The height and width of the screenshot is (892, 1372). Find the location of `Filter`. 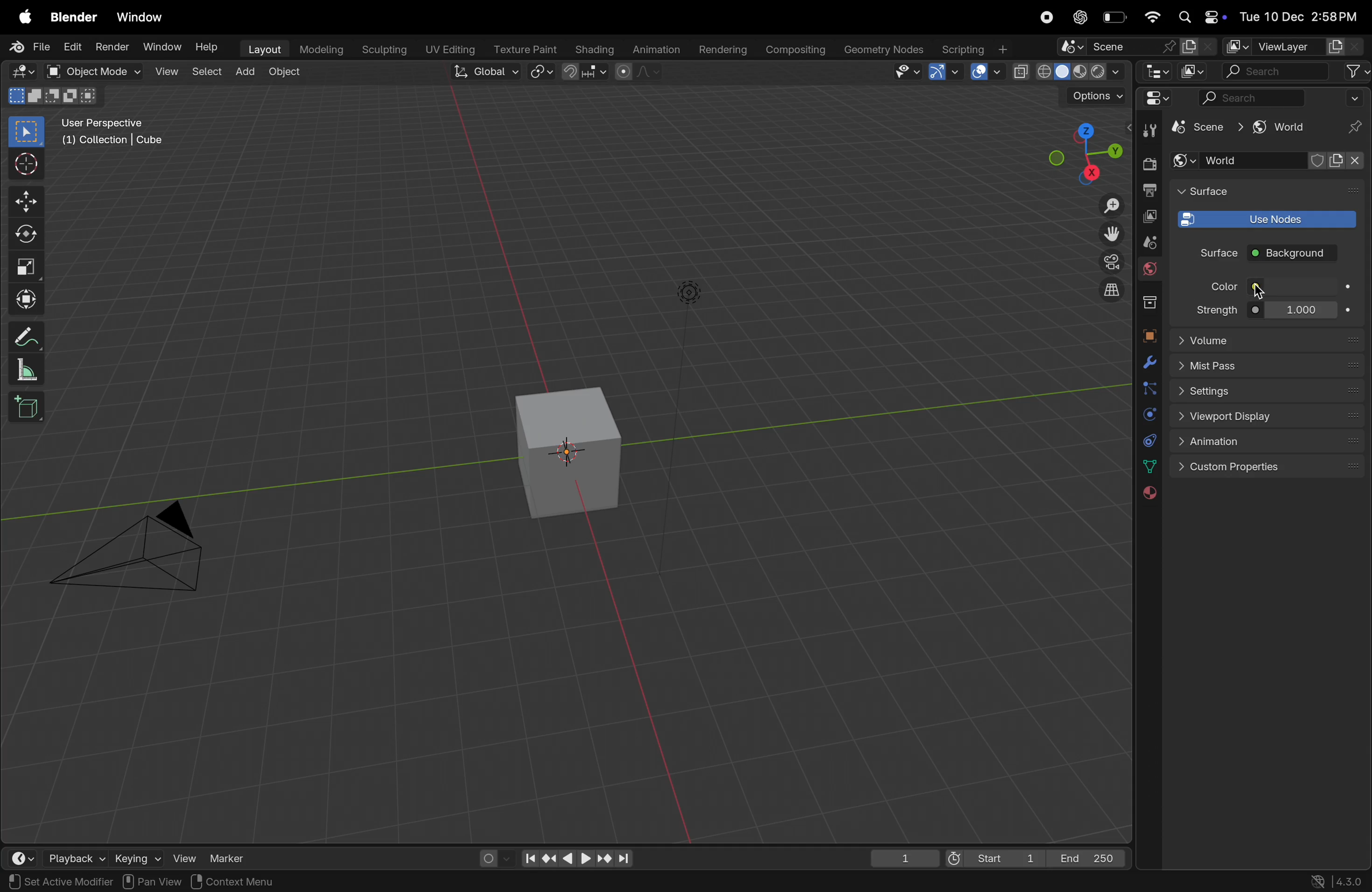

Filter is located at coordinates (1356, 97).